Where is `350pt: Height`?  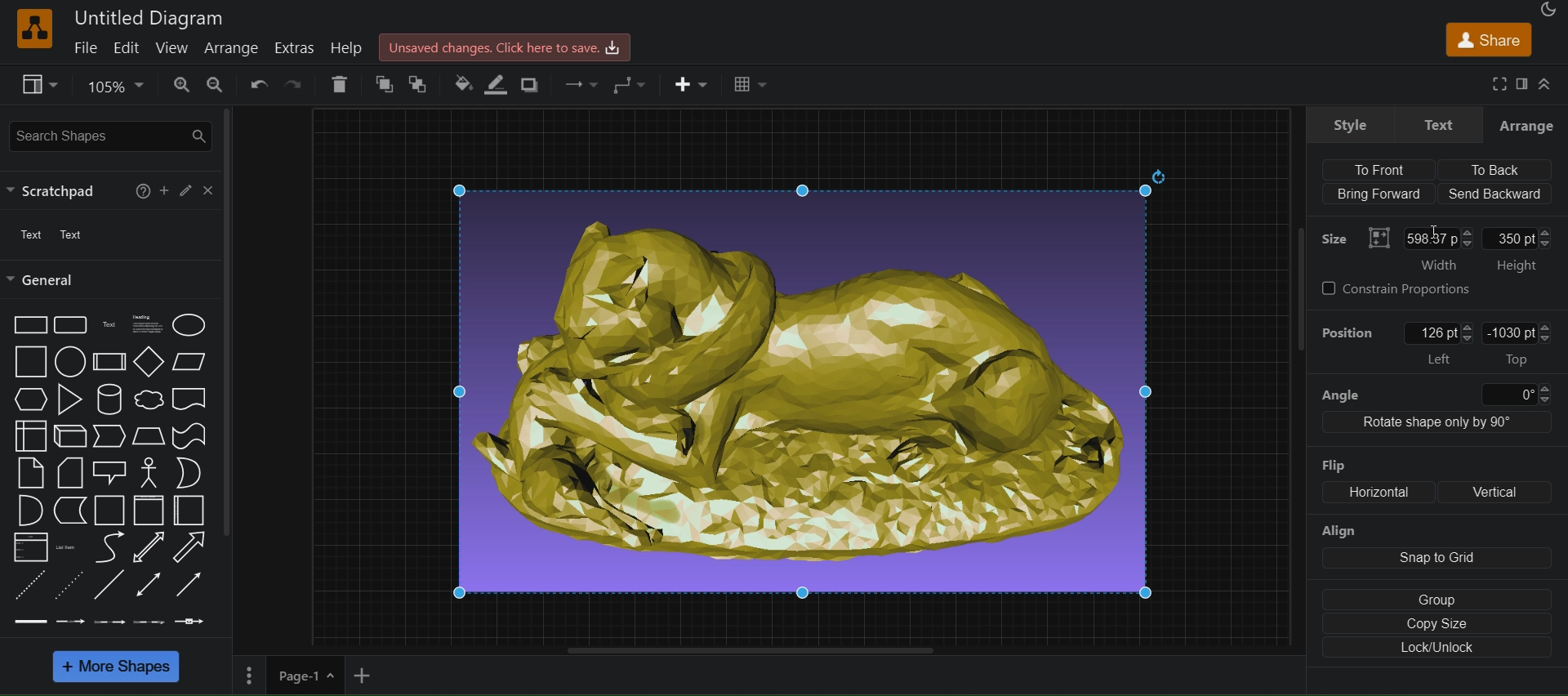
350pt: Height is located at coordinates (1520, 235).